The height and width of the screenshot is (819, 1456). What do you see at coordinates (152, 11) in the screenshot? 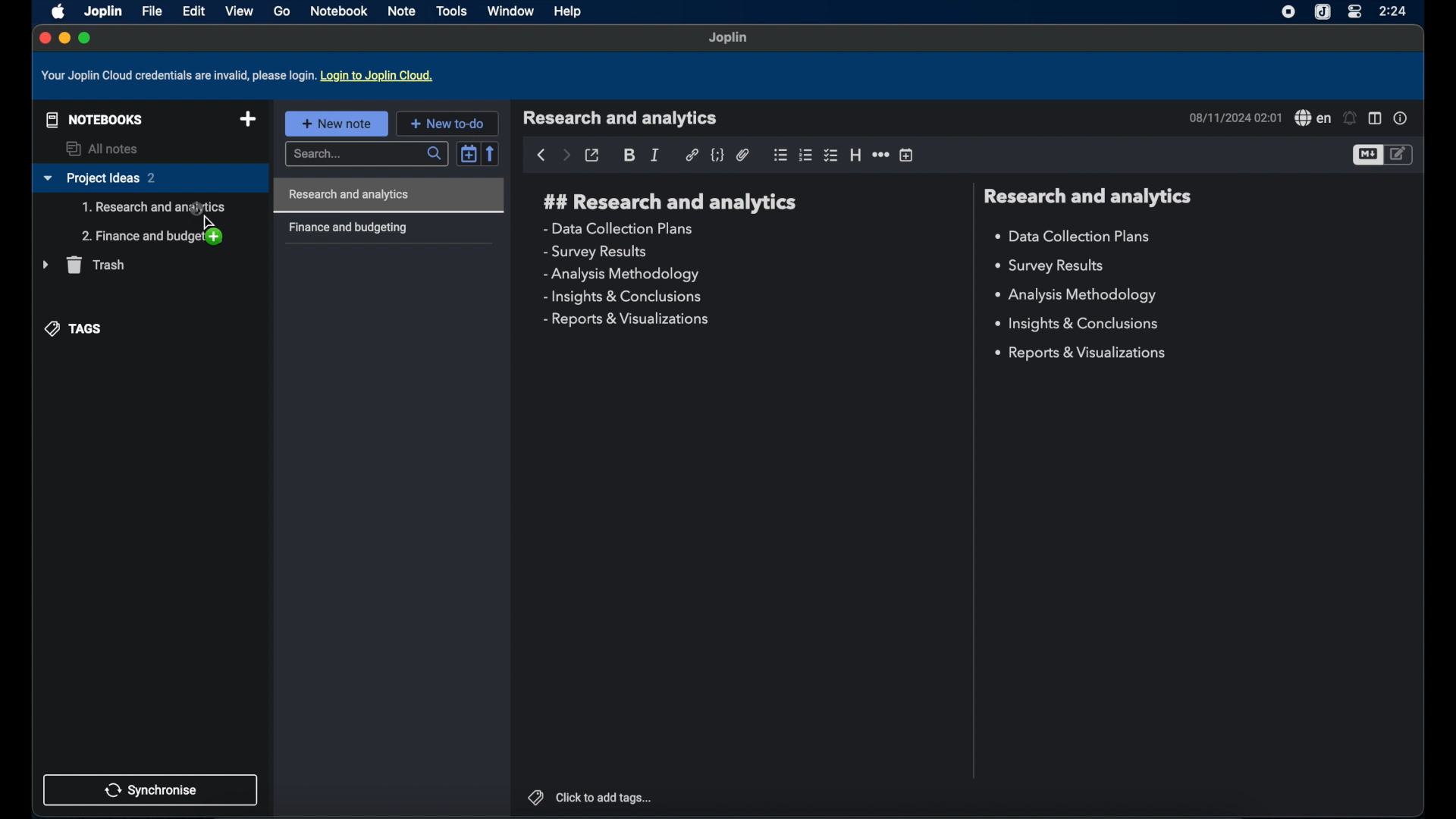
I see `file` at bounding box center [152, 11].